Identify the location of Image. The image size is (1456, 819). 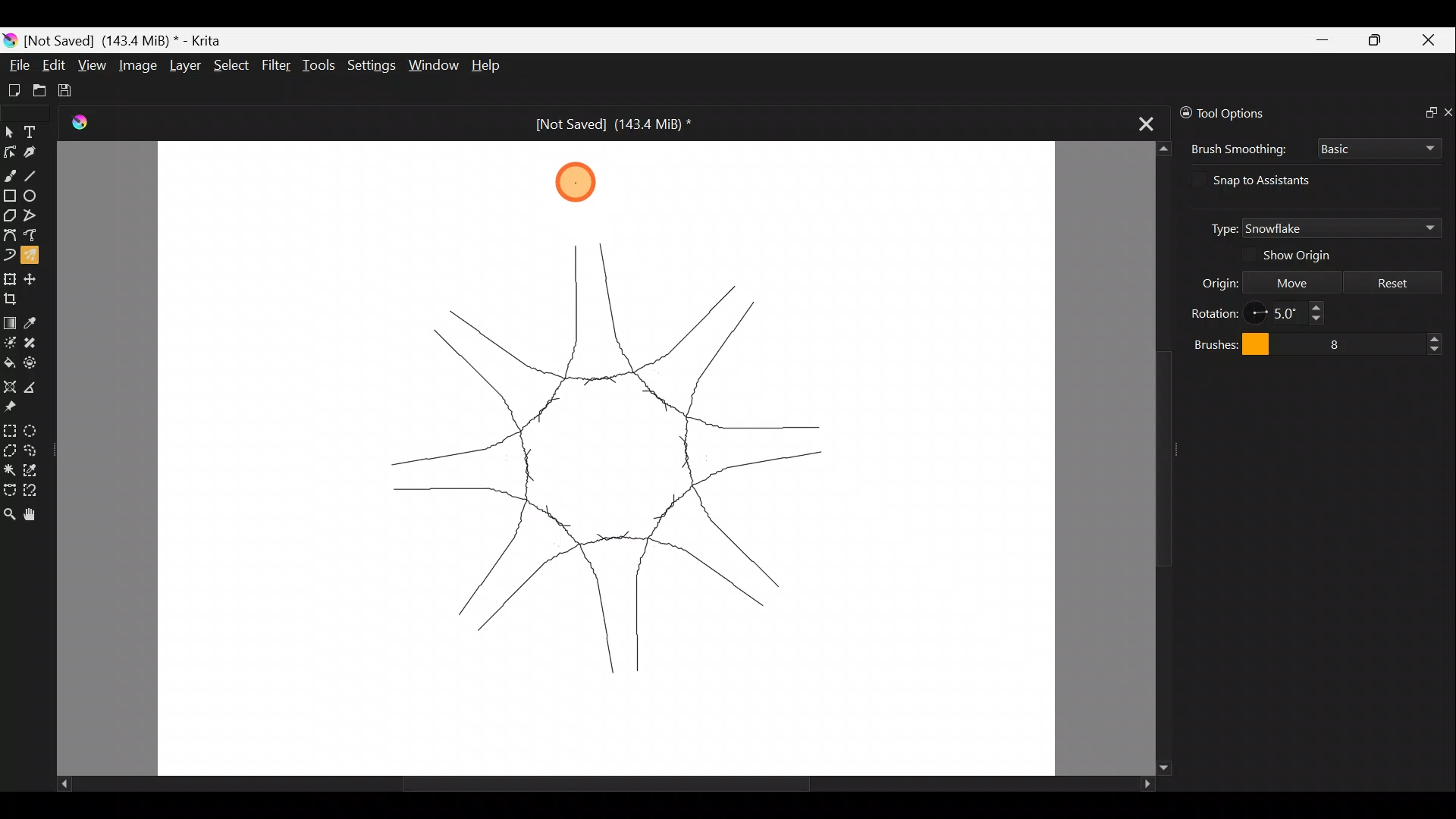
(136, 64).